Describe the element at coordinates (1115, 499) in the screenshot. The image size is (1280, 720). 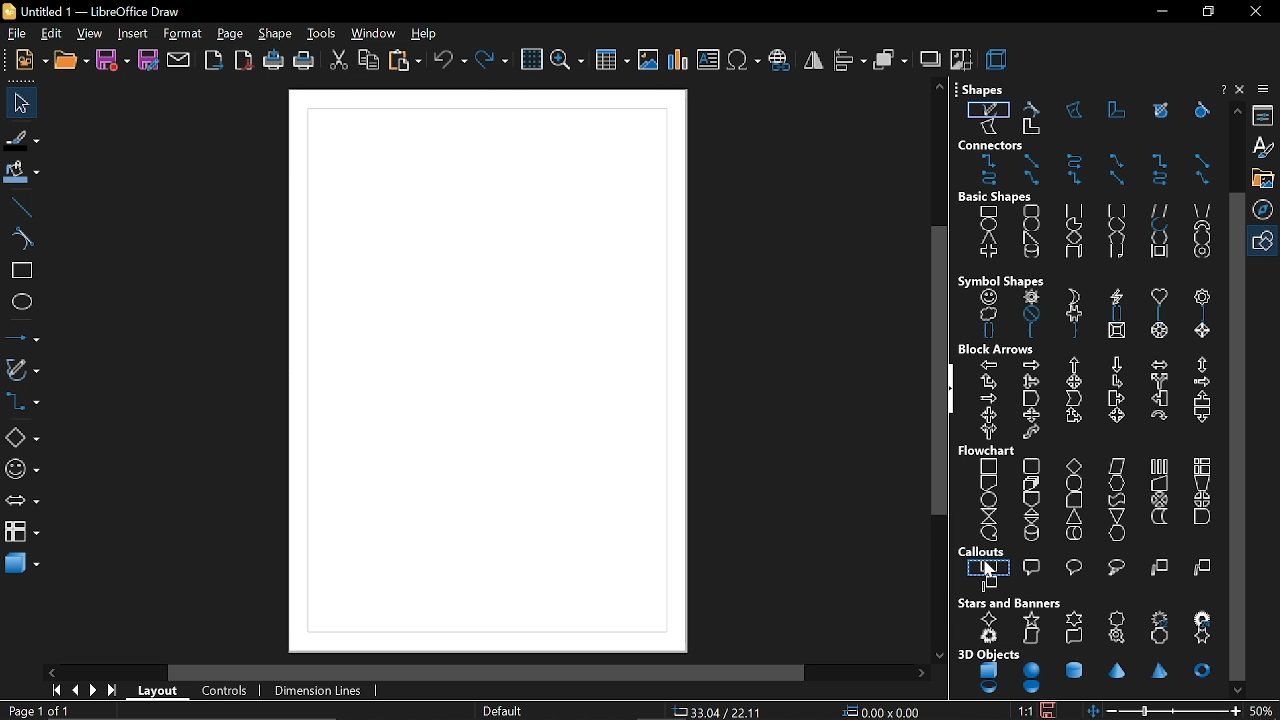
I see `punched tape` at that location.